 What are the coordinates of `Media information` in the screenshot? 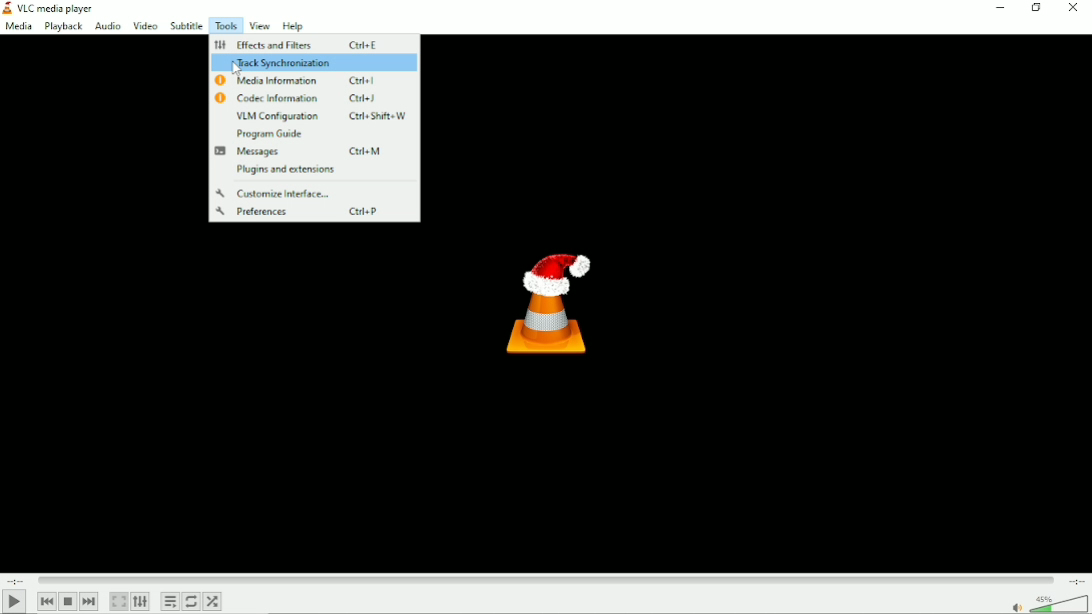 It's located at (313, 80).